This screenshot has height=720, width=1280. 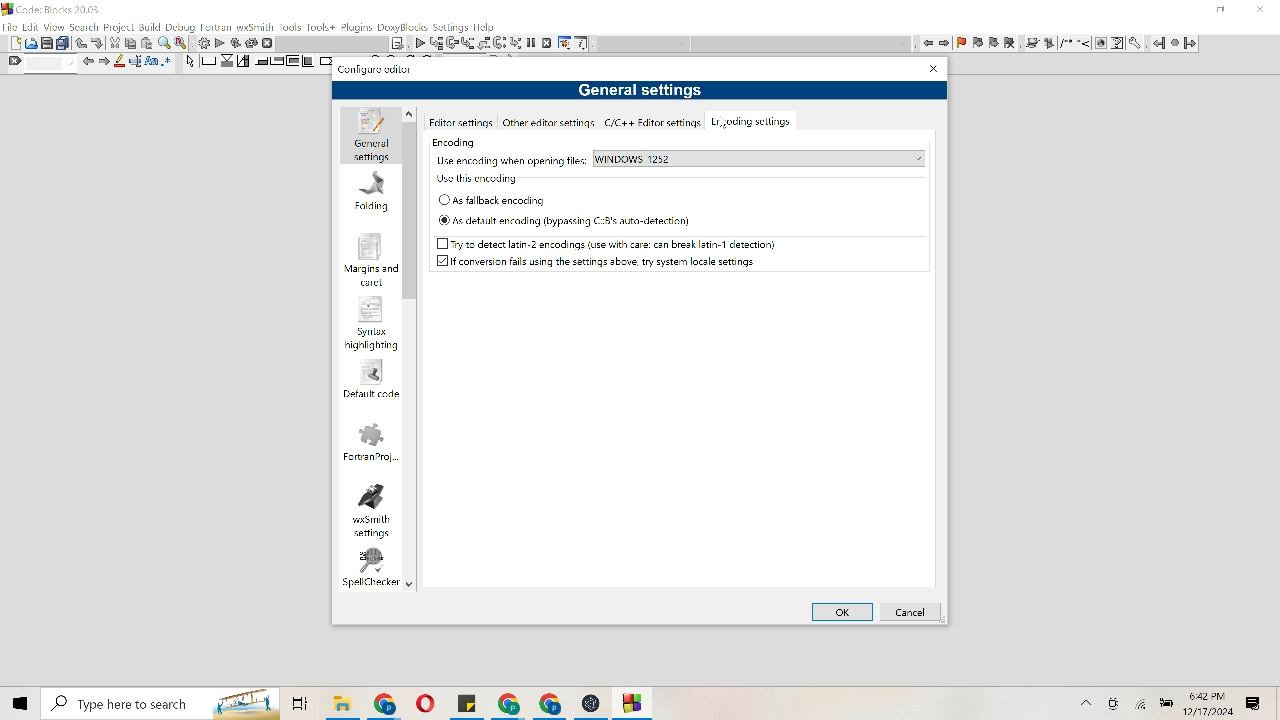 I want to click on View, so click(x=54, y=27).